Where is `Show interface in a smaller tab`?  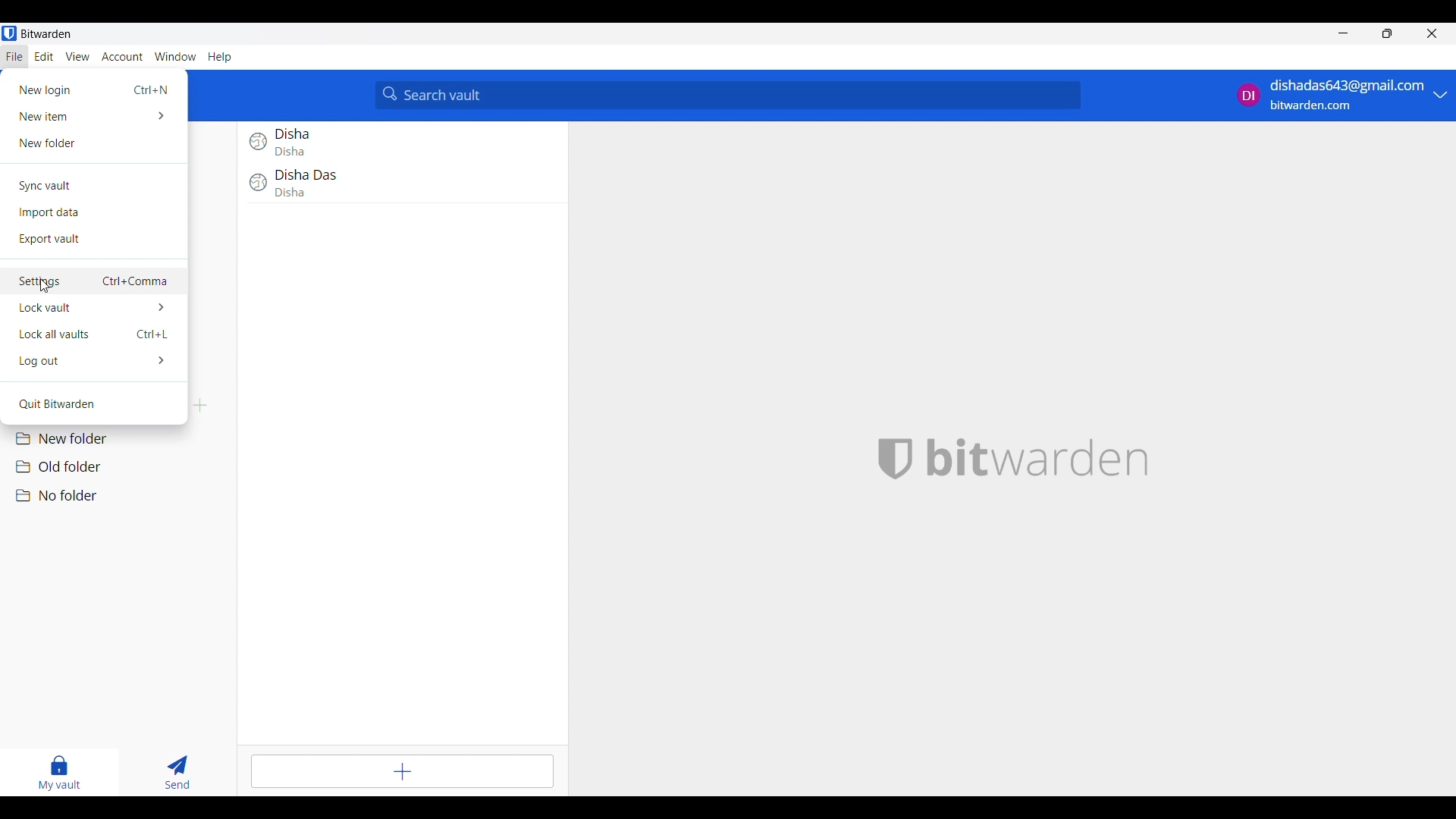 Show interface in a smaller tab is located at coordinates (1387, 33).